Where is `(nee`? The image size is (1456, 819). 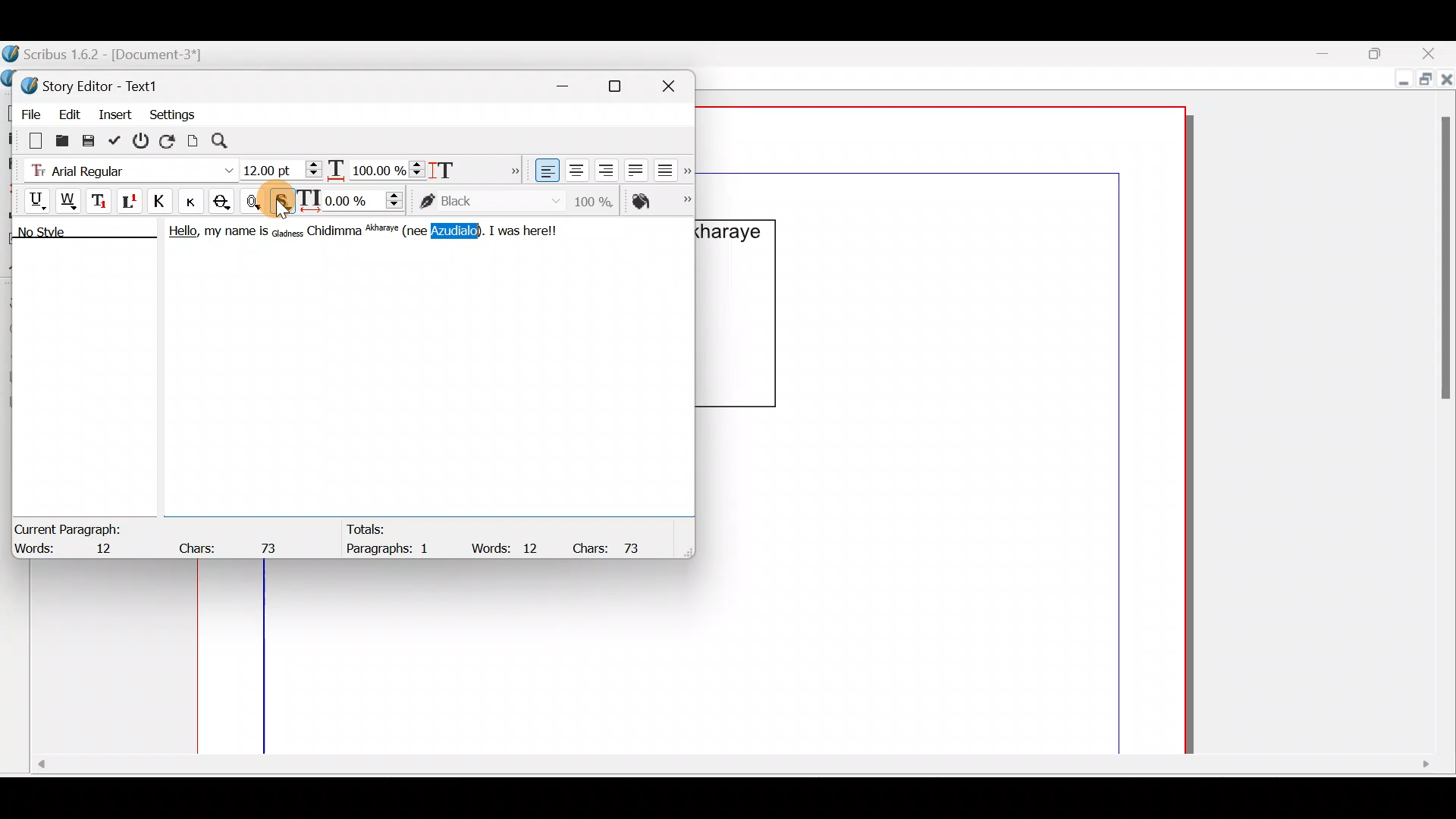
(nee is located at coordinates (419, 231).